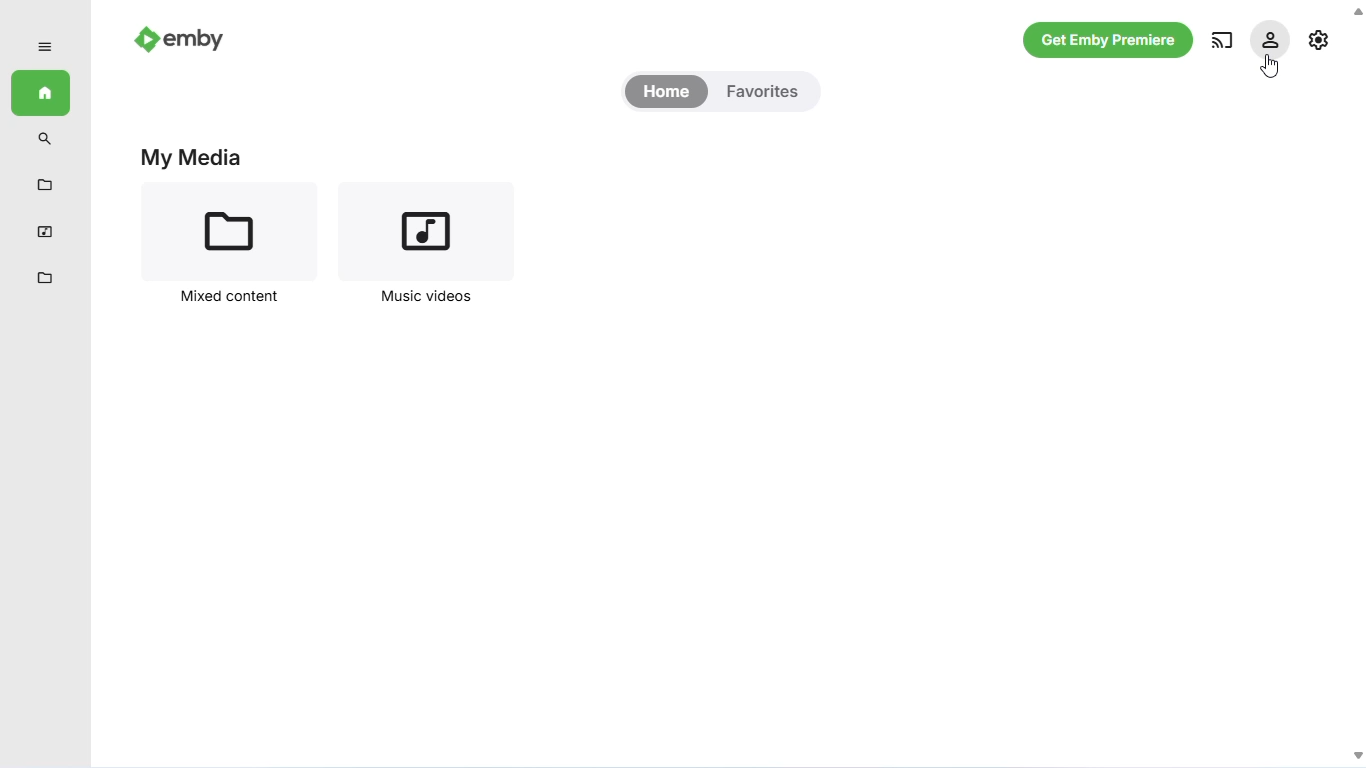 This screenshot has width=1366, height=768. Describe the element at coordinates (666, 92) in the screenshot. I see `home` at that location.